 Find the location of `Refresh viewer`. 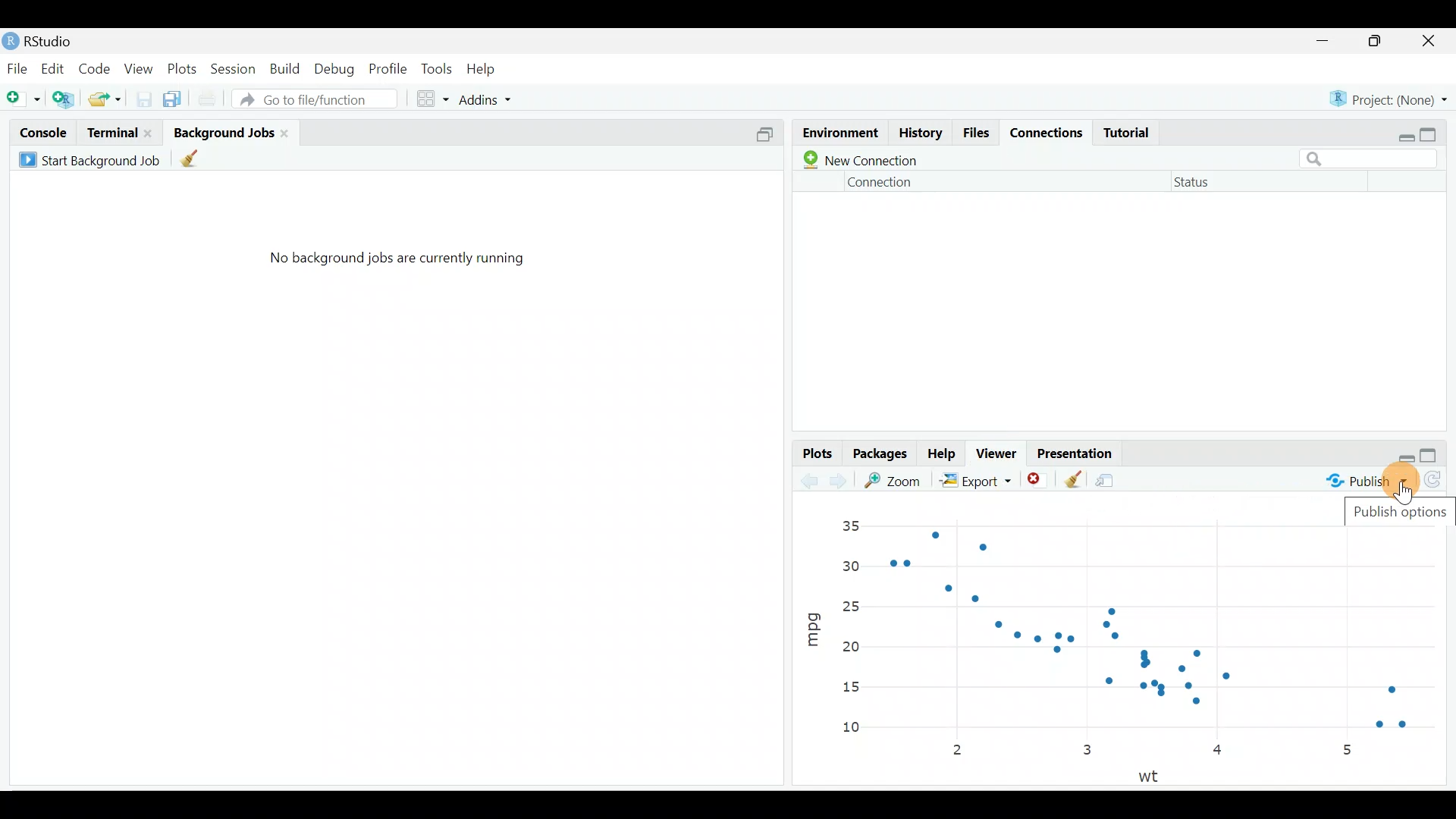

Refresh viewer is located at coordinates (1439, 482).